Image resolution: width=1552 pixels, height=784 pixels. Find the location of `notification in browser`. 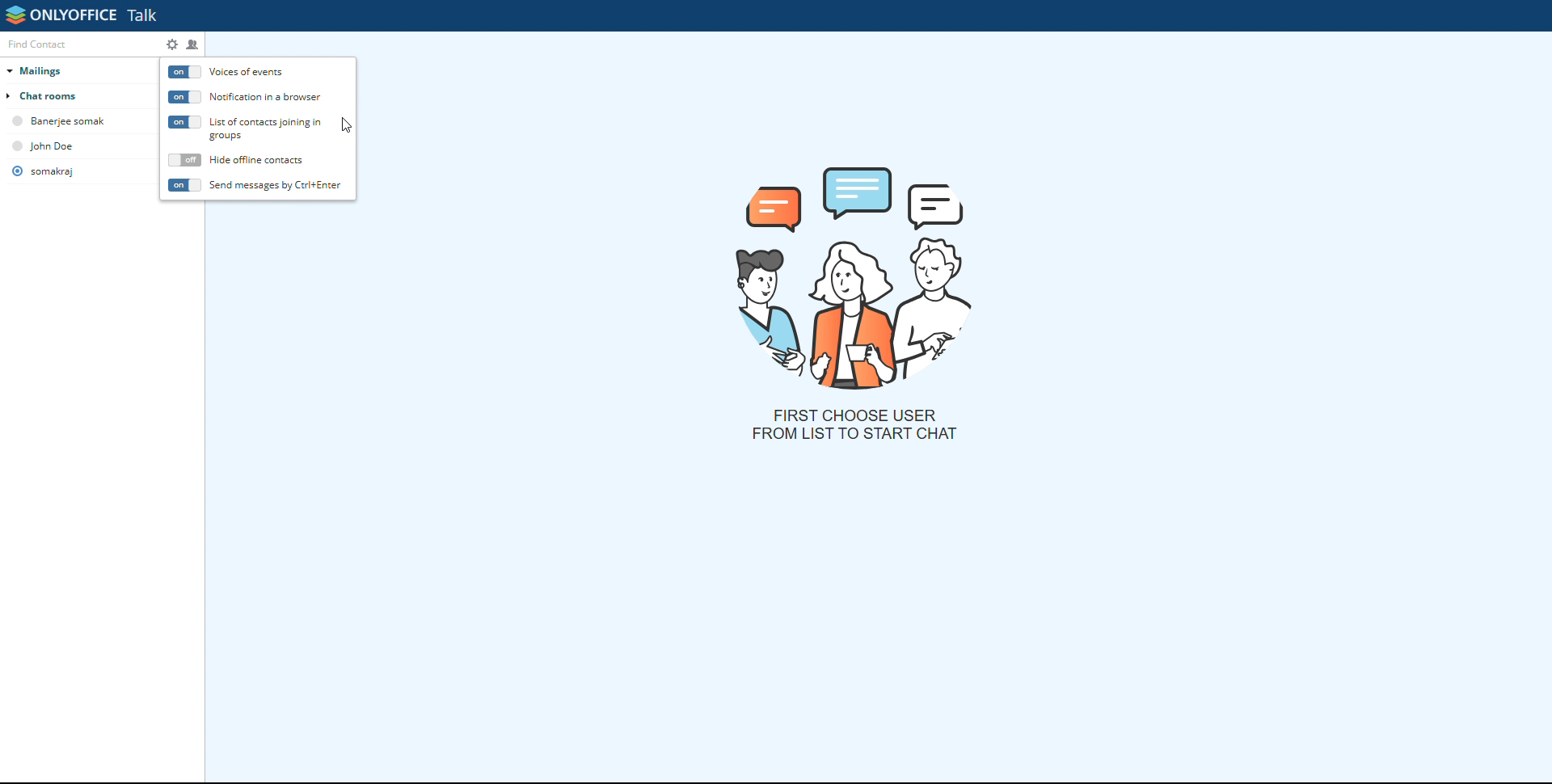

notification in browser is located at coordinates (184, 97).